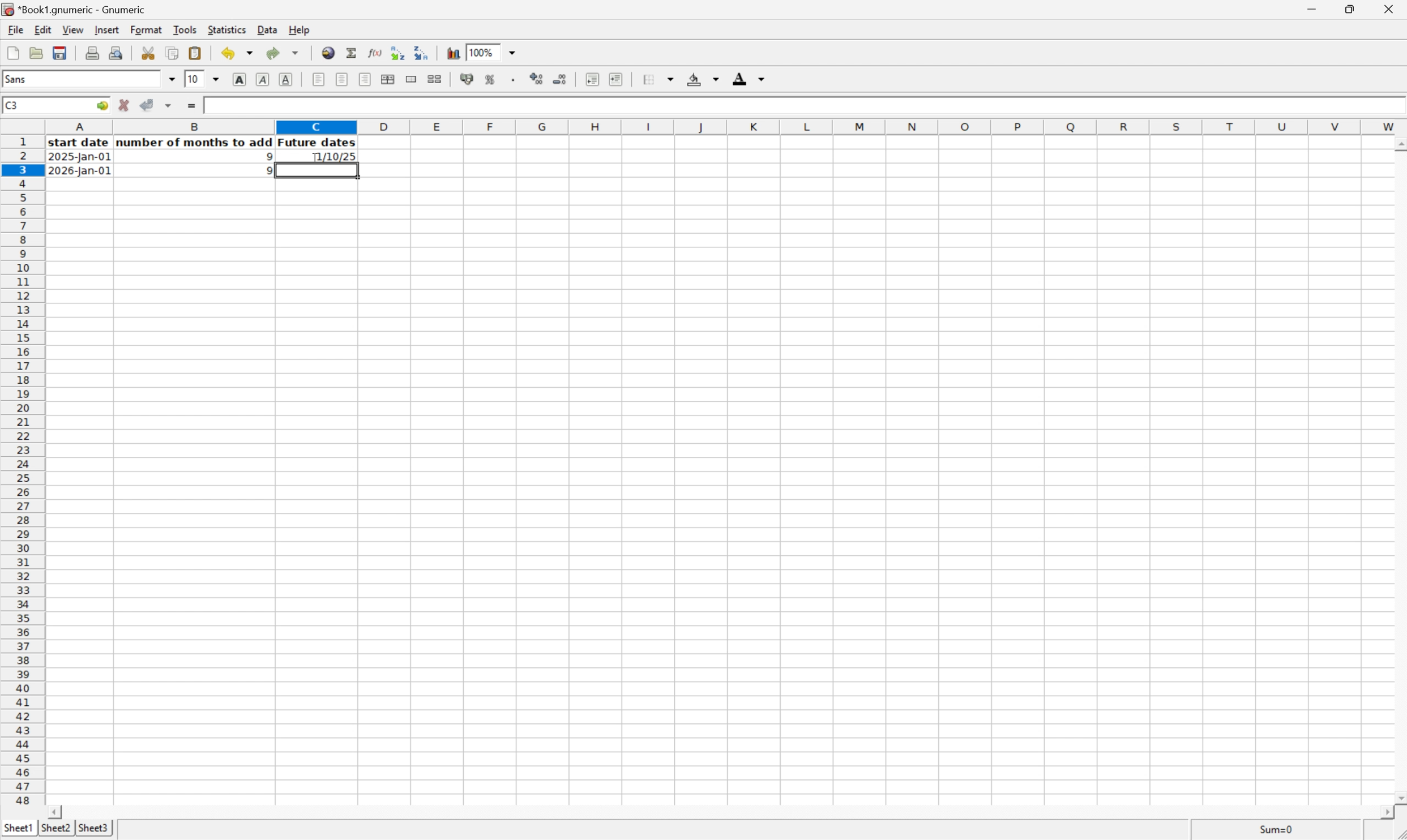 This screenshot has height=840, width=1407. What do you see at coordinates (434, 78) in the screenshot?
I see `Split the ranges of merged cells` at bounding box center [434, 78].